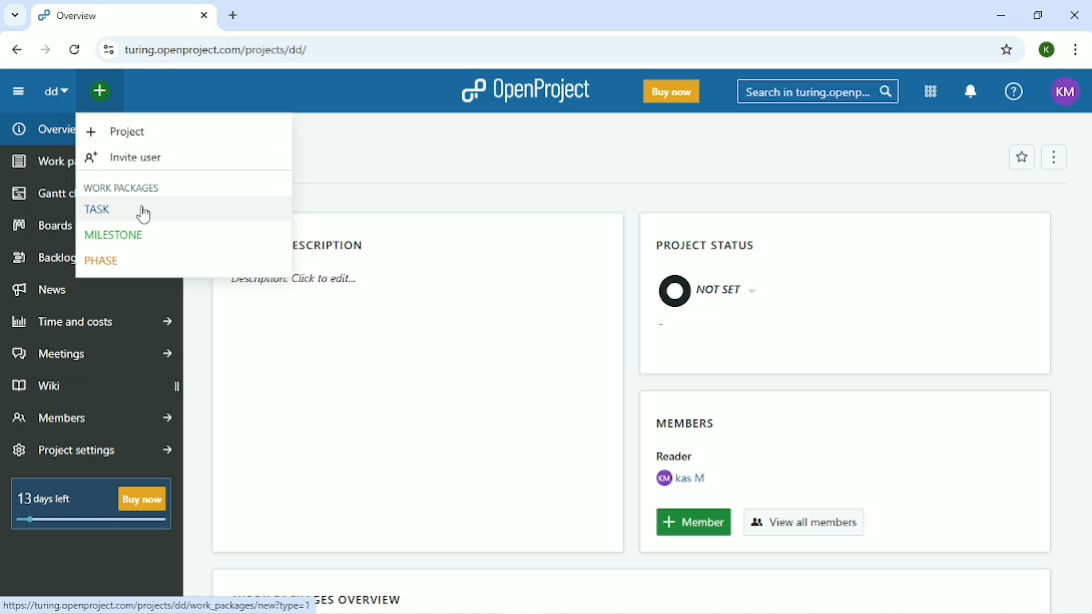 Image resolution: width=1092 pixels, height=614 pixels. Describe the element at coordinates (1007, 50) in the screenshot. I see `Bookmark this tab` at that location.